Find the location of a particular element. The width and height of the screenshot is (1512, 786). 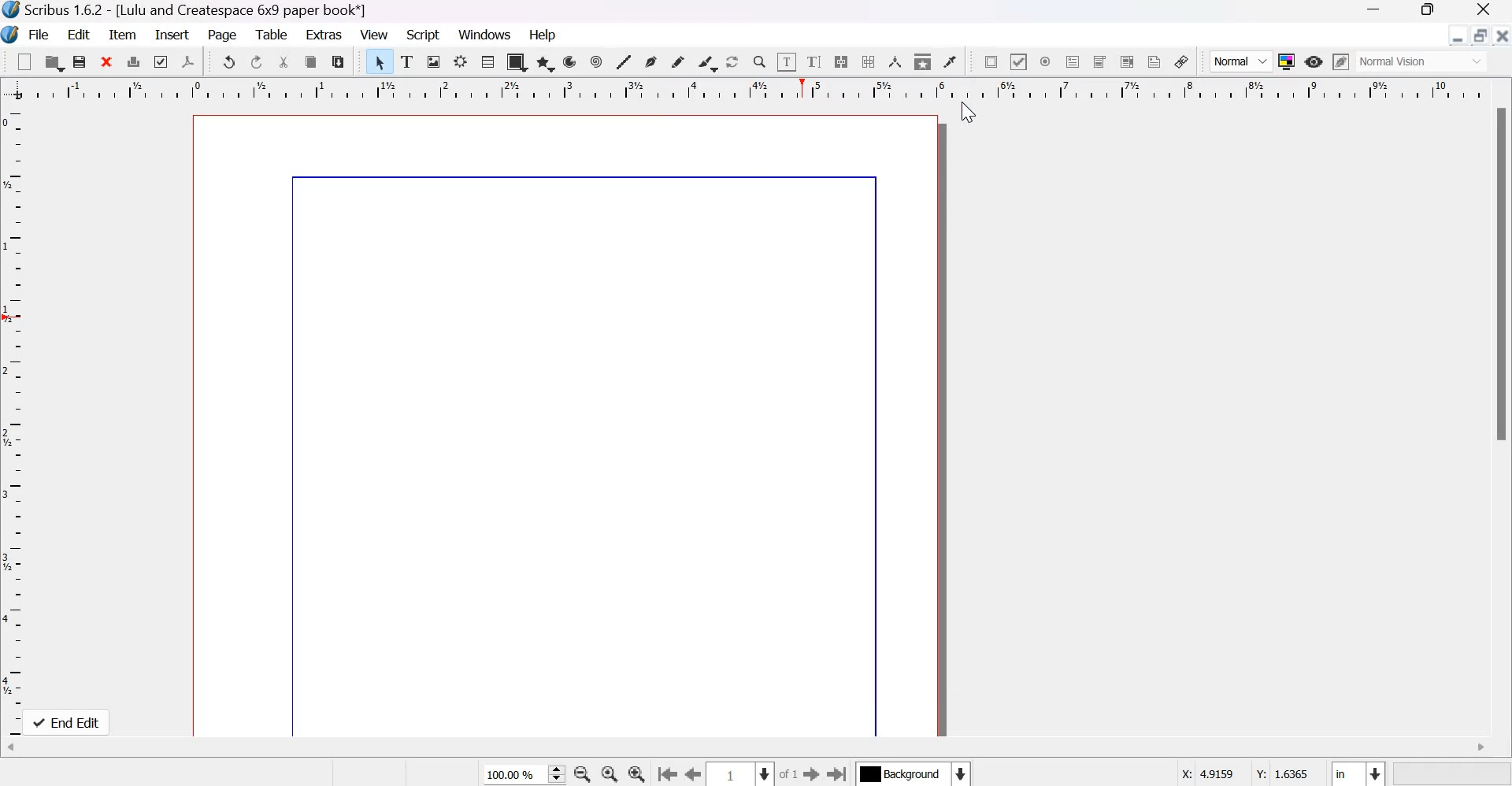

Link text frames is located at coordinates (839, 61).